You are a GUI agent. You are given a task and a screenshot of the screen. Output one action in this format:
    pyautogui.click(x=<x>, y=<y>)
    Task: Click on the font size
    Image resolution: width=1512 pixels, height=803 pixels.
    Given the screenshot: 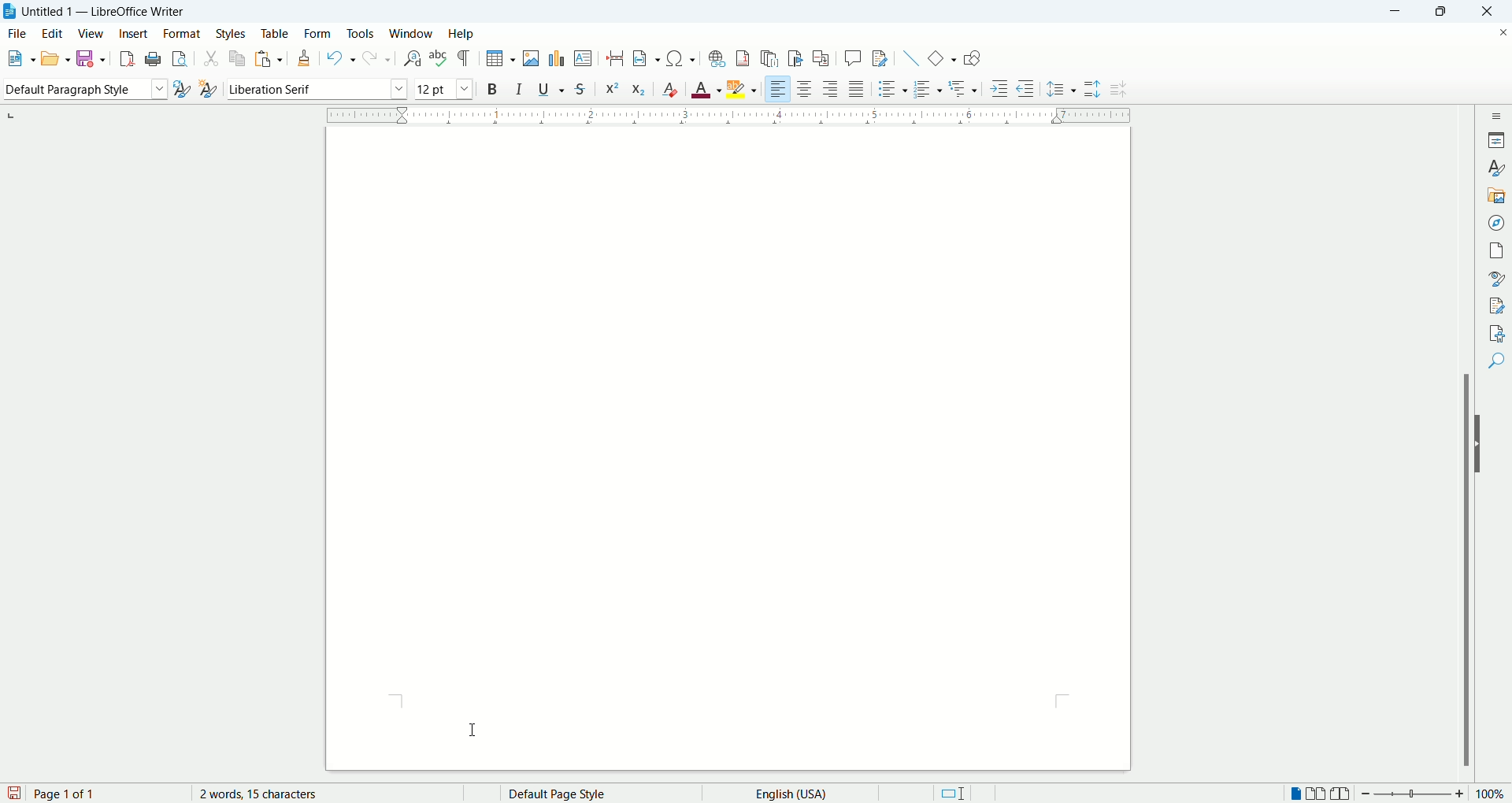 What is the action you would take?
    pyautogui.click(x=443, y=88)
    